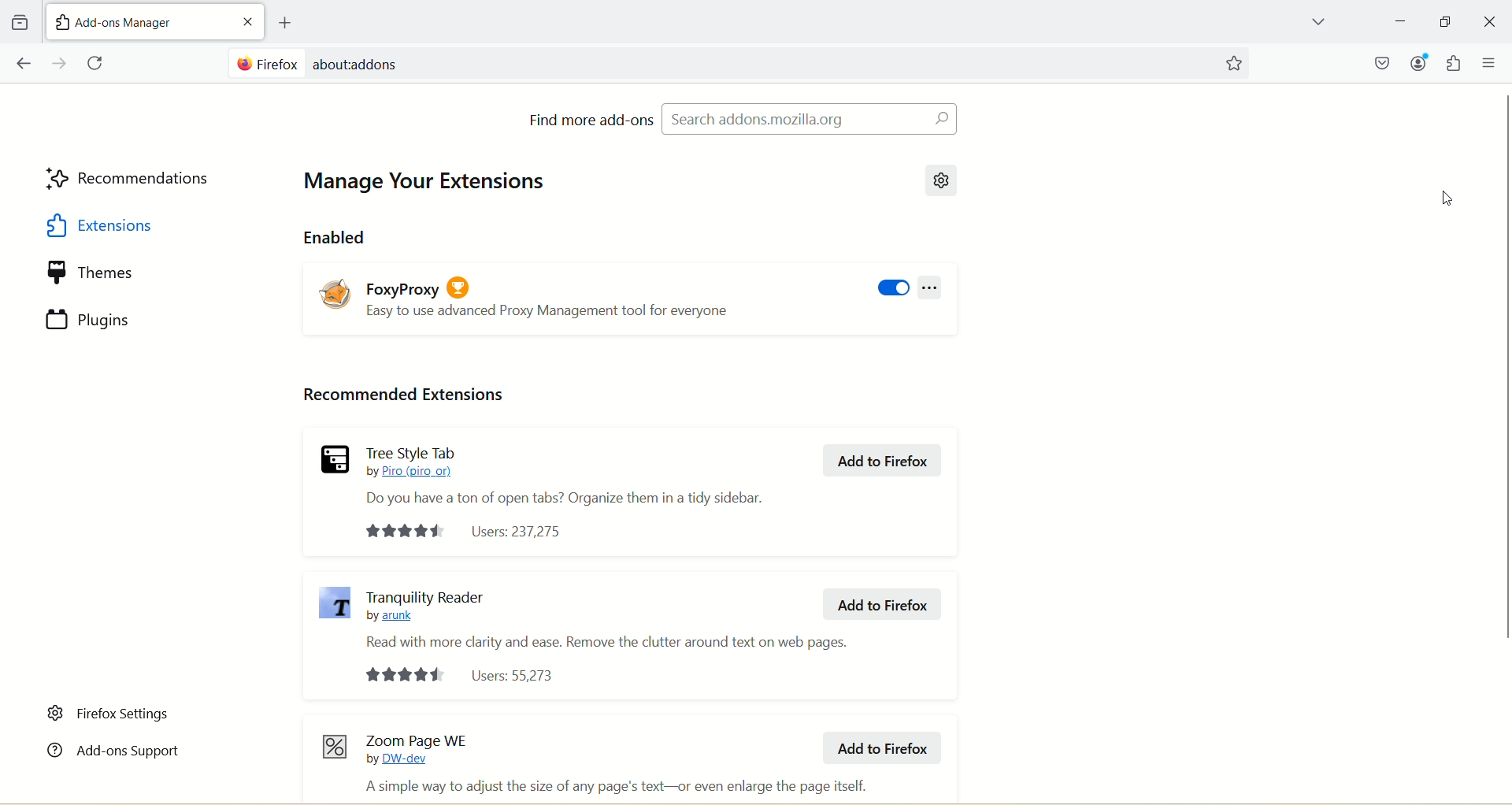  What do you see at coordinates (468, 532) in the screenshot?
I see `Users: 237275` at bounding box center [468, 532].